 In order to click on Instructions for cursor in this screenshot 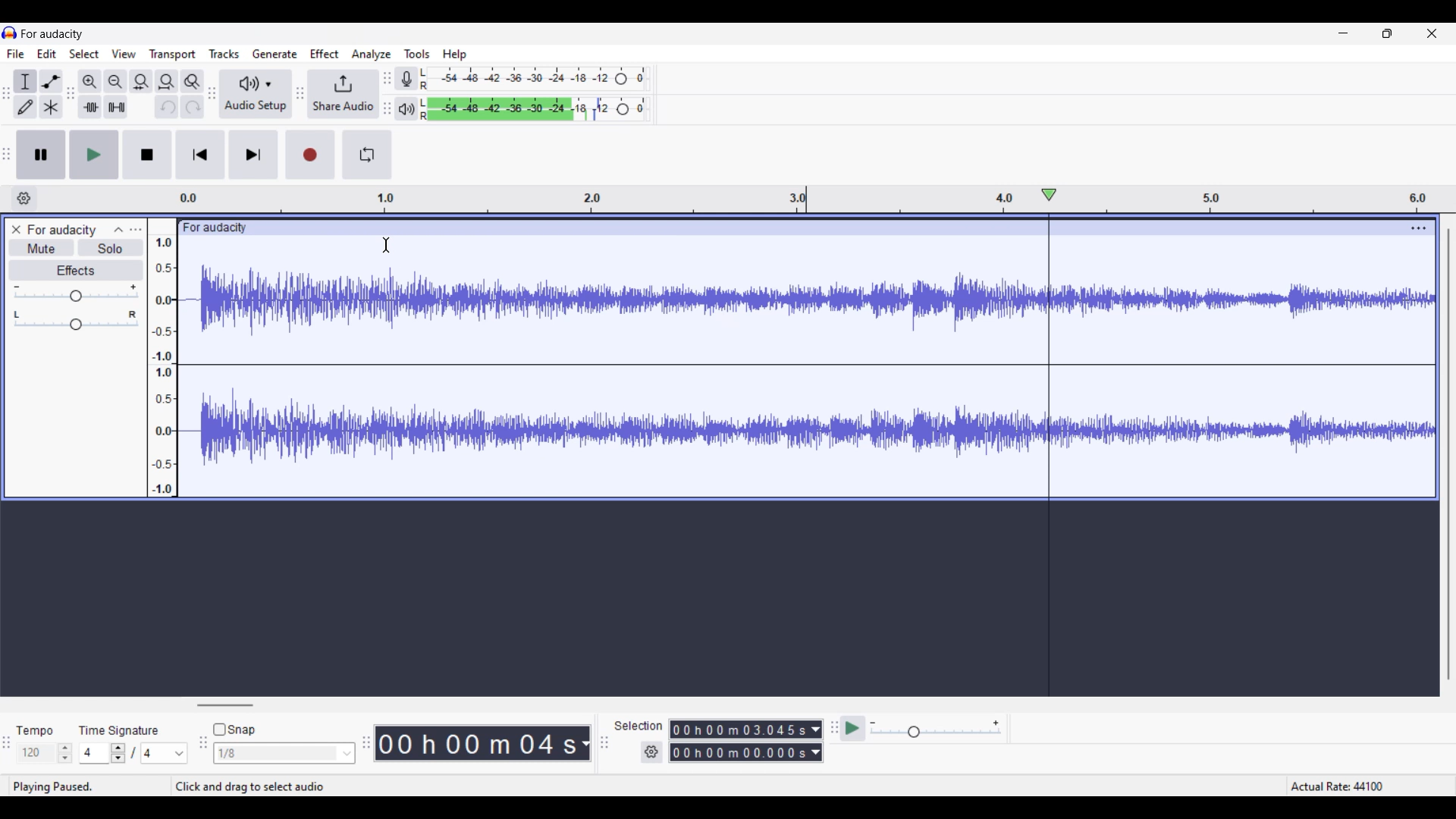, I will do `click(298, 786)`.